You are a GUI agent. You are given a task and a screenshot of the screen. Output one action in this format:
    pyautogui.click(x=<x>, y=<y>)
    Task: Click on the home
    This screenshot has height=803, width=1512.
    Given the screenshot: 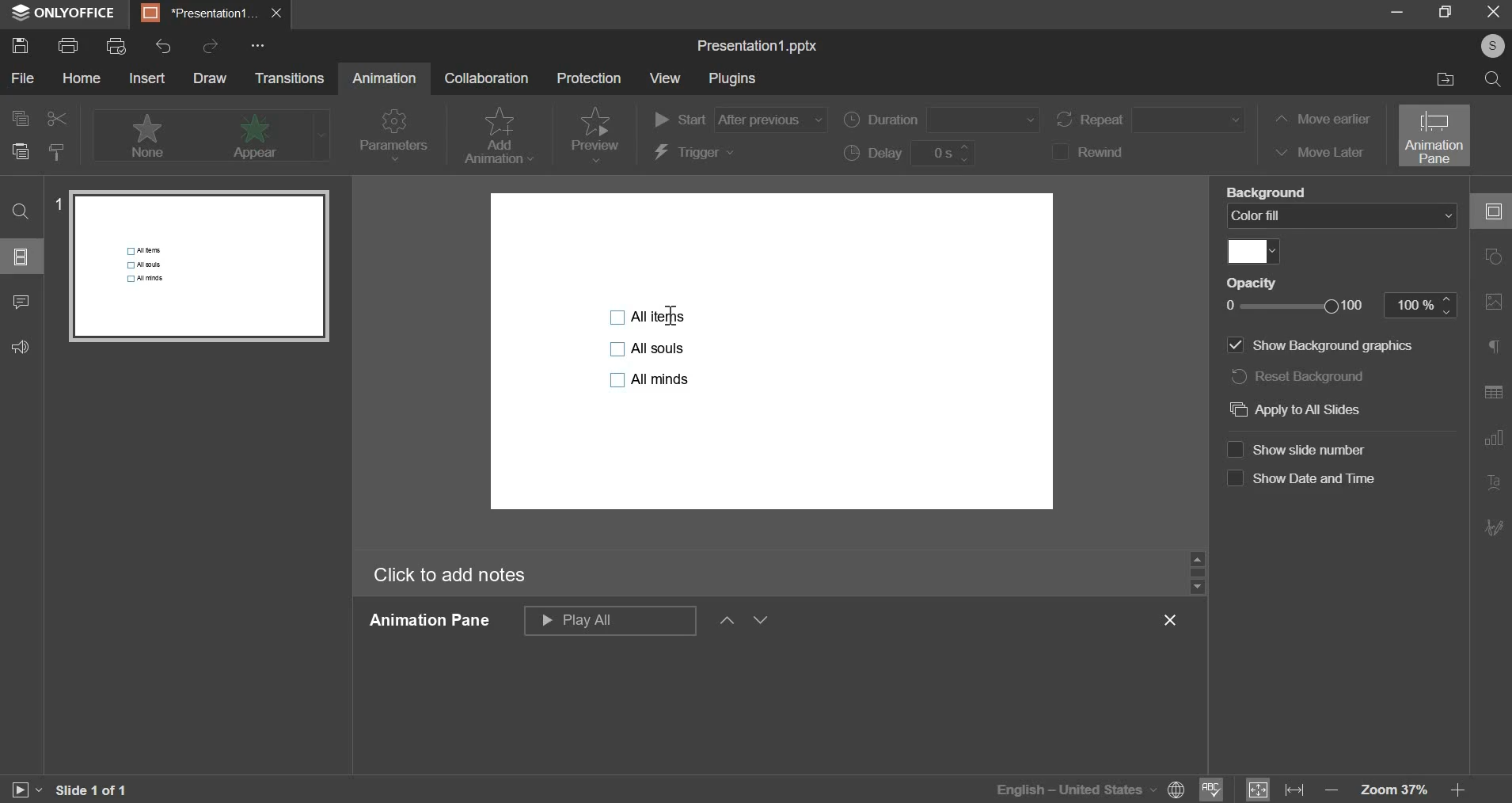 What is the action you would take?
    pyautogui.click(x=82, y=78)
    